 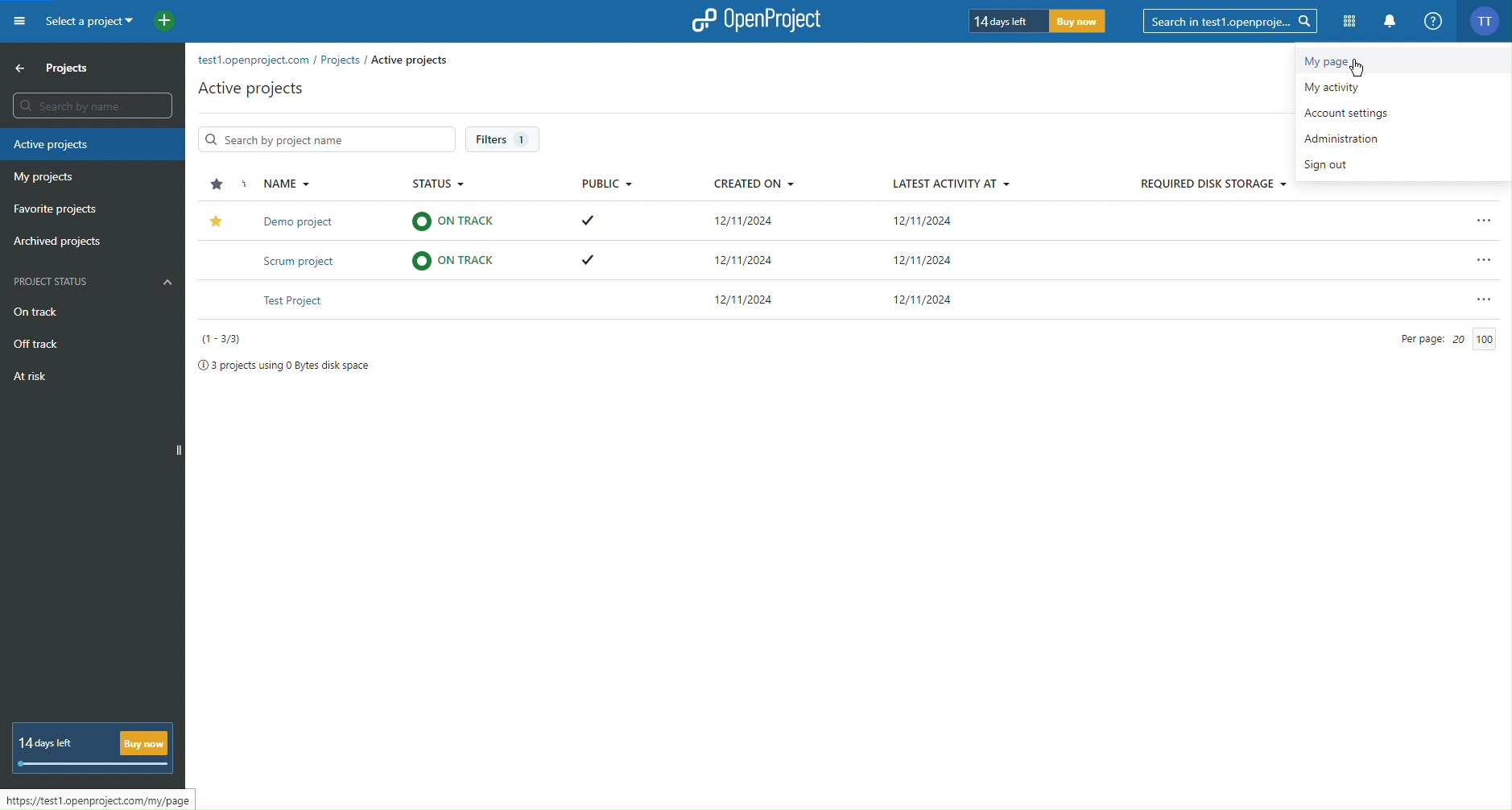 I want to click on Account, so click(x=1487, y=21).